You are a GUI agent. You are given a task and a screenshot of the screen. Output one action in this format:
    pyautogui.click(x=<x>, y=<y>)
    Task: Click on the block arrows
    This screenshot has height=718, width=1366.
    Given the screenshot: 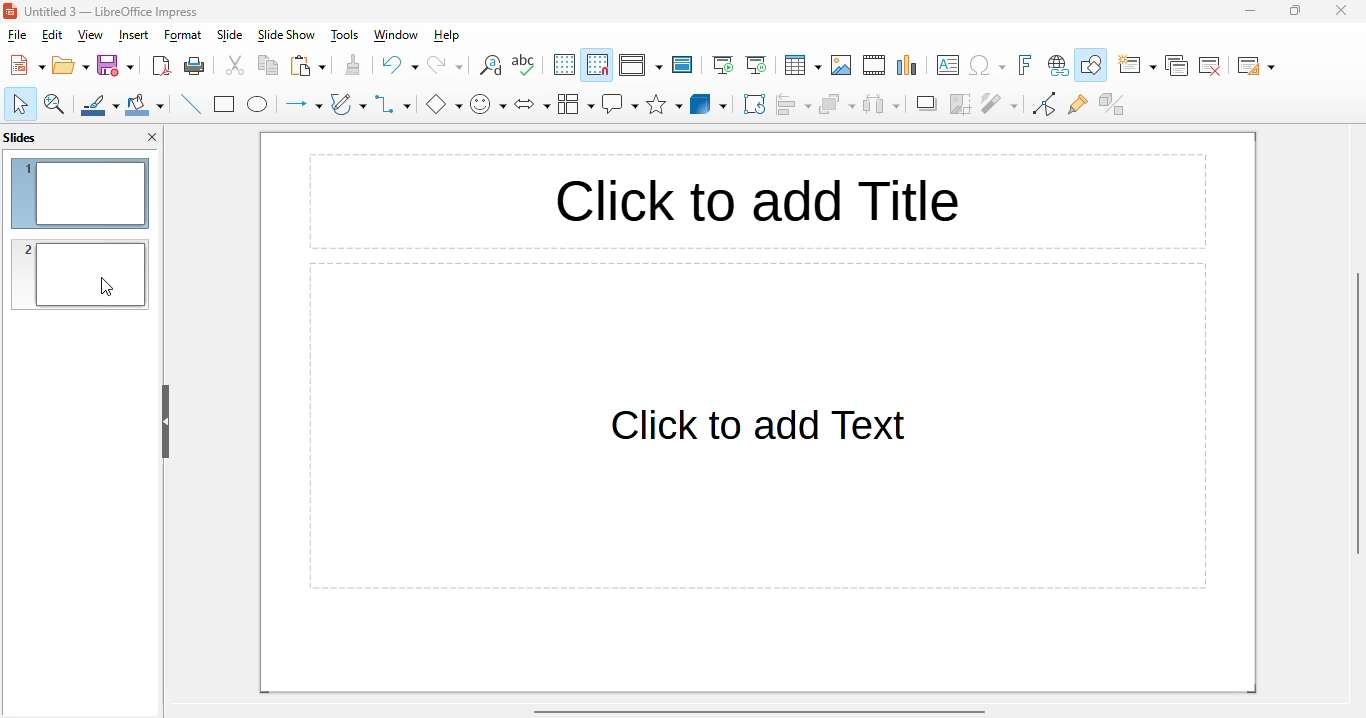 What is the action you would take?
    pyautogui.click(x=533, y=106)
    